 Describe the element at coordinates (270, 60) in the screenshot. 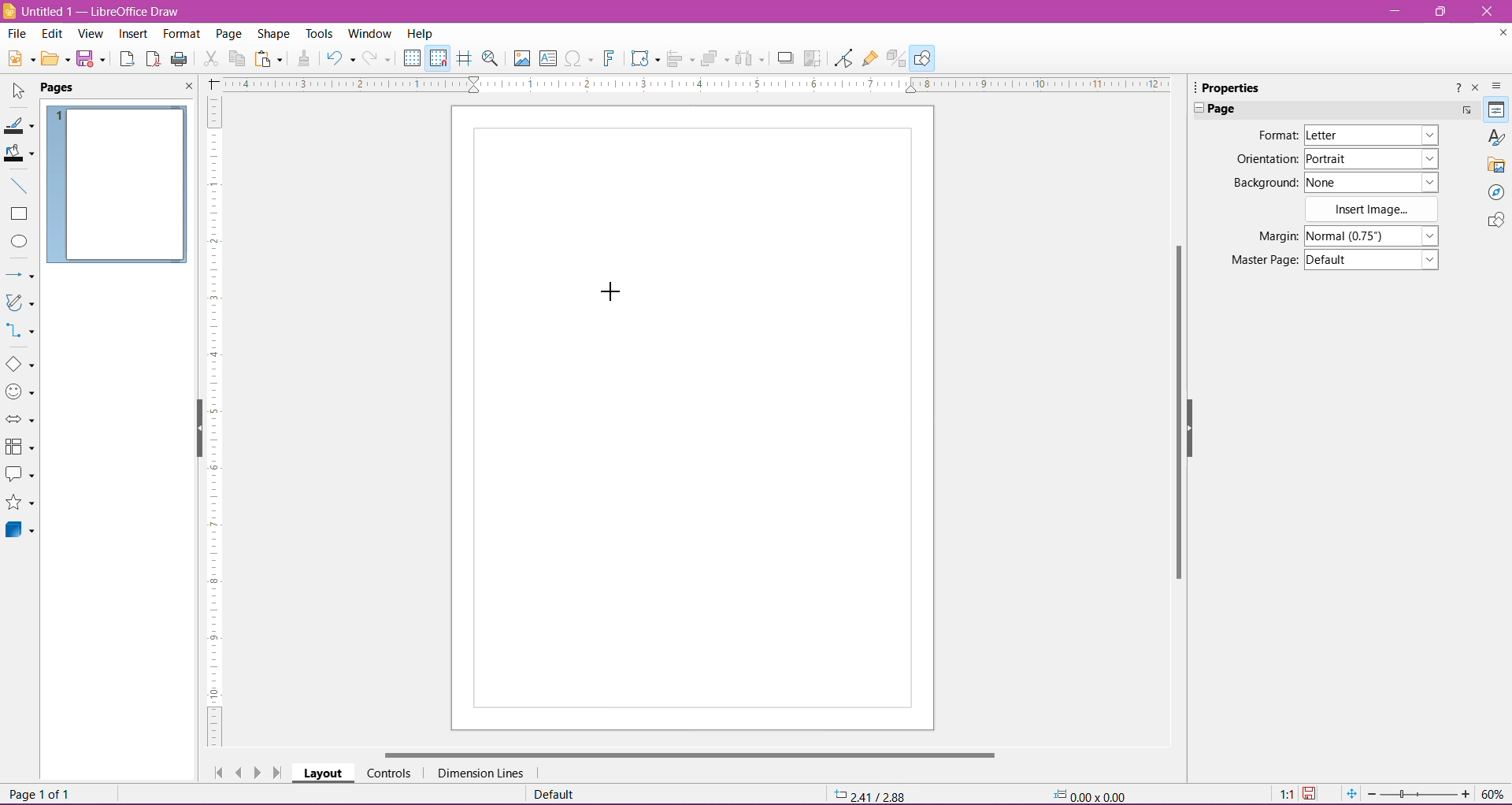

I see `Paste` at that location.